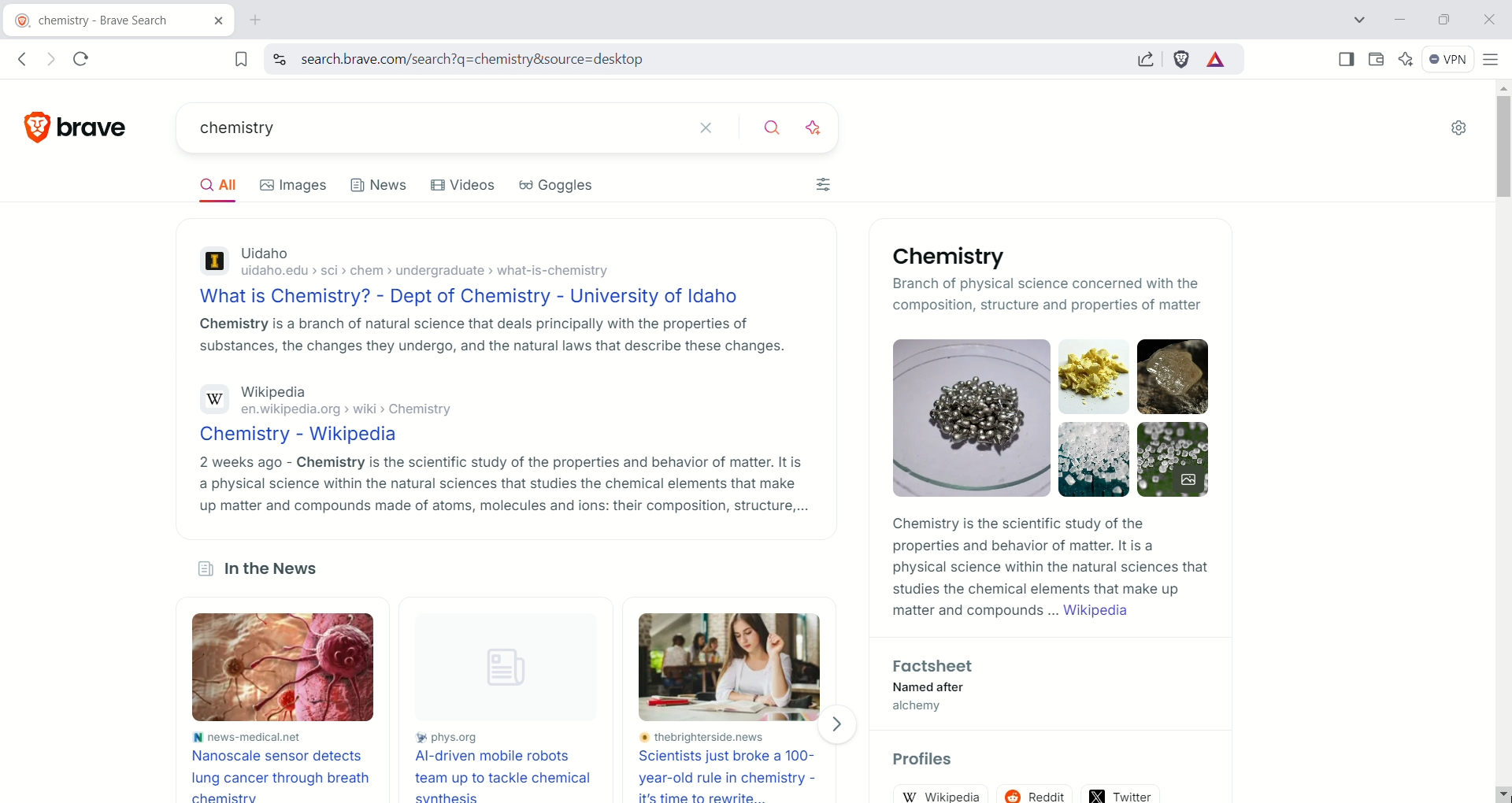  What do you see at coordinates (1406, 59) in the screenshot?
I see `leo AI` at bounding box center [1406, 59].